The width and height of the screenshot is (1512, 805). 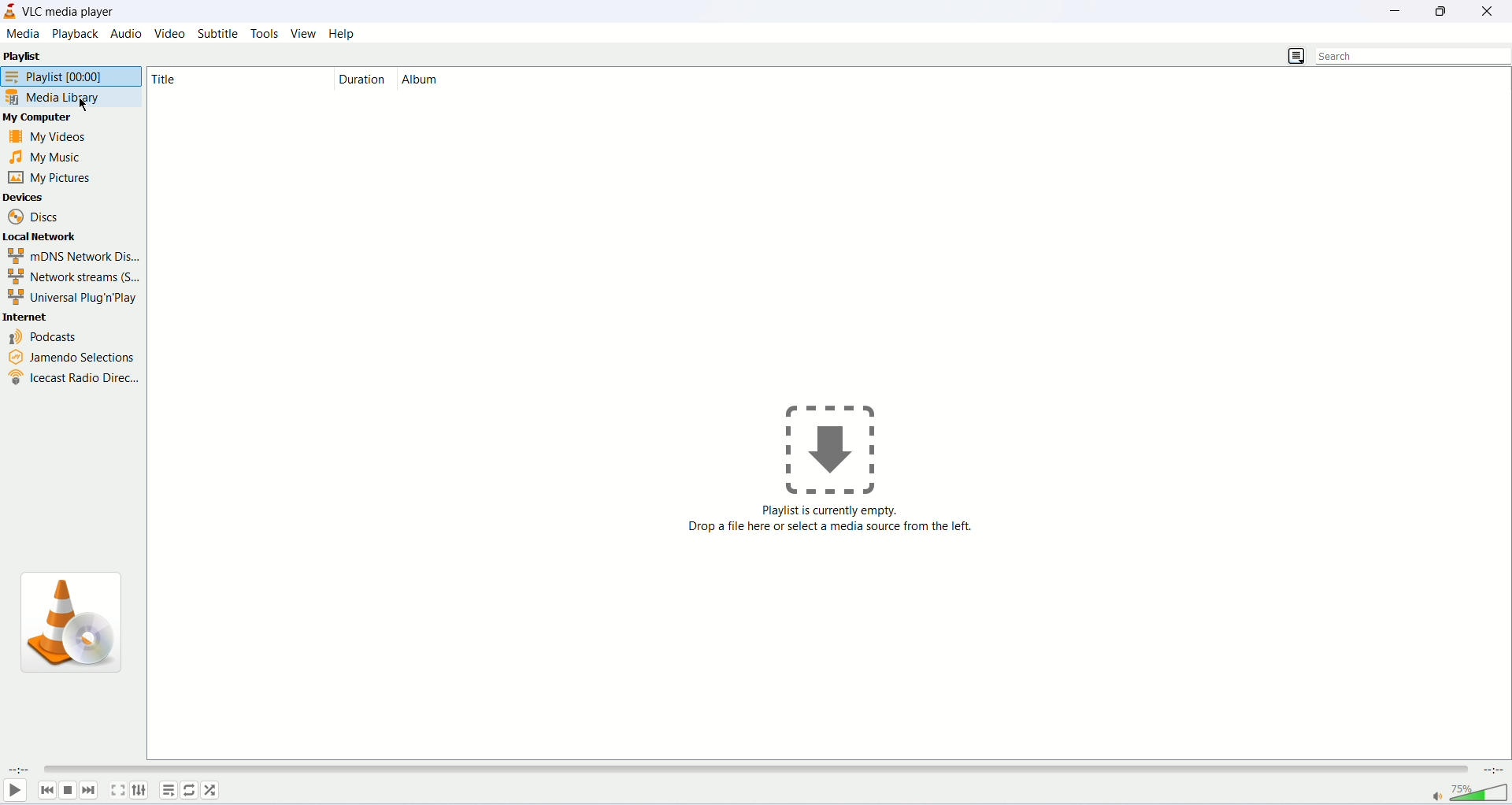 What do you see at coordinates (69, 789) in the screenshot?
I see `stop` at bounding box center [69, 789].